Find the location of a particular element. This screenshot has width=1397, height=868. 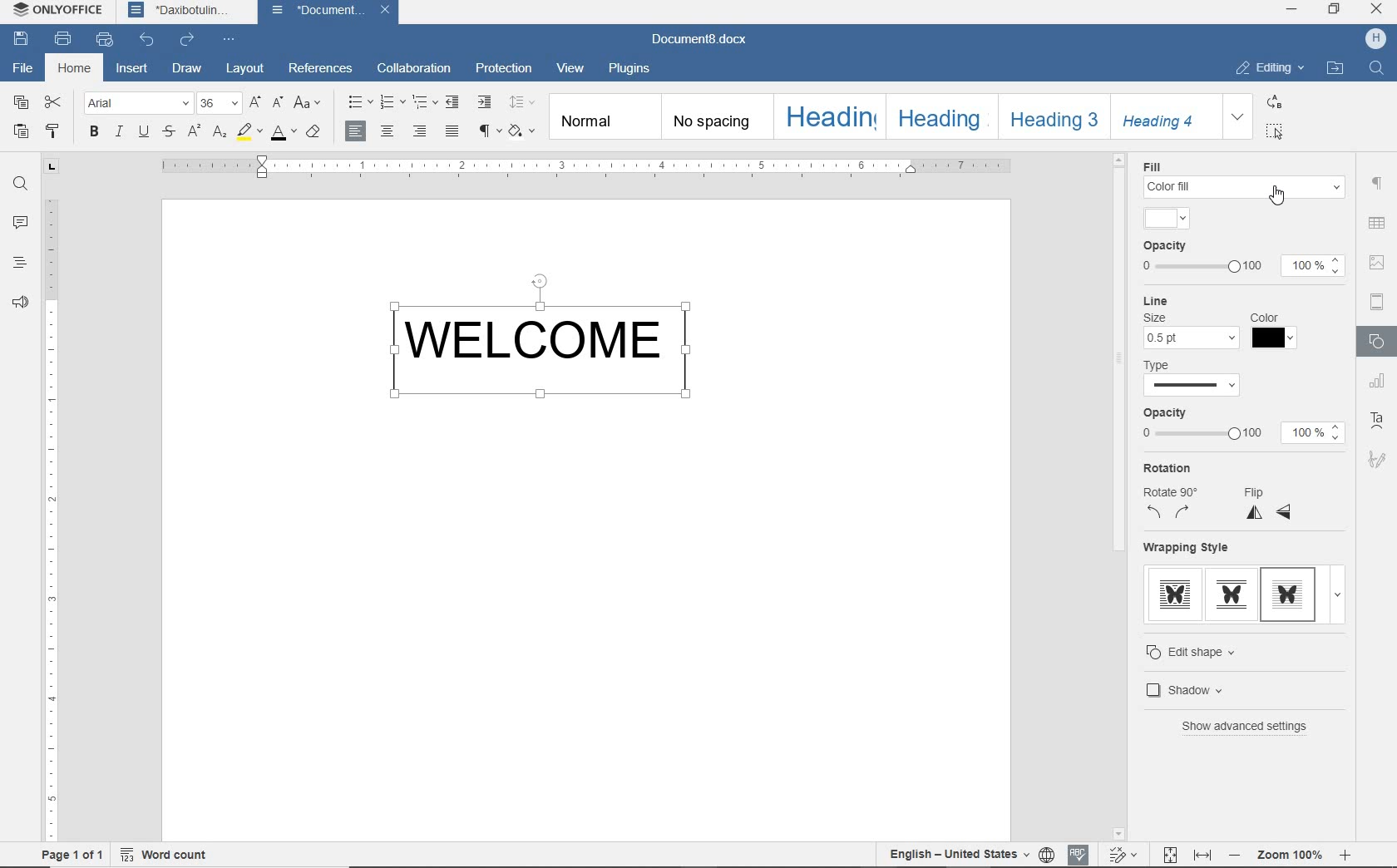

STRIKETHROUGH is located at coordinates (170, 131).